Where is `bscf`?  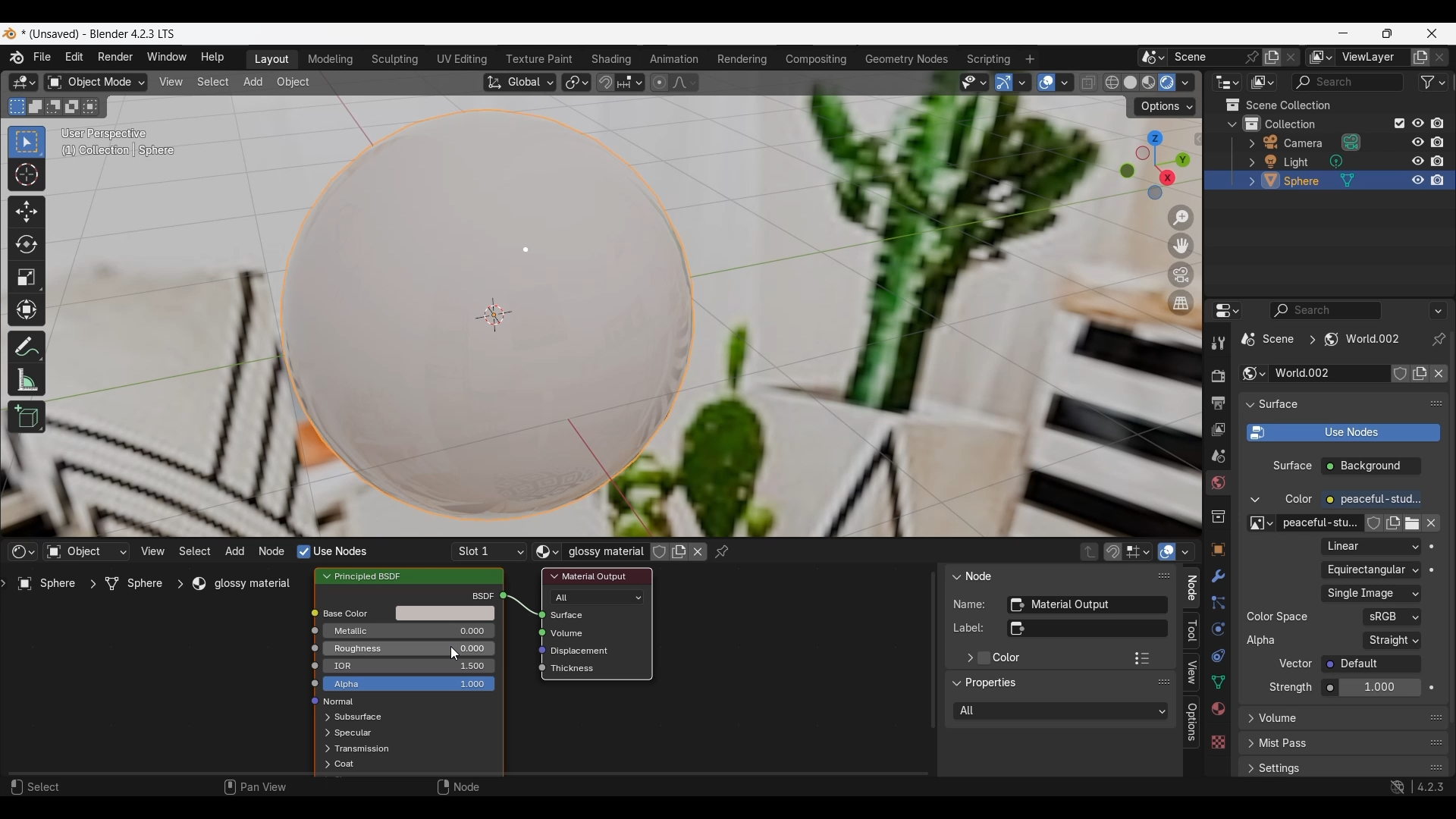
bscf is located at coordinates (480, 595).